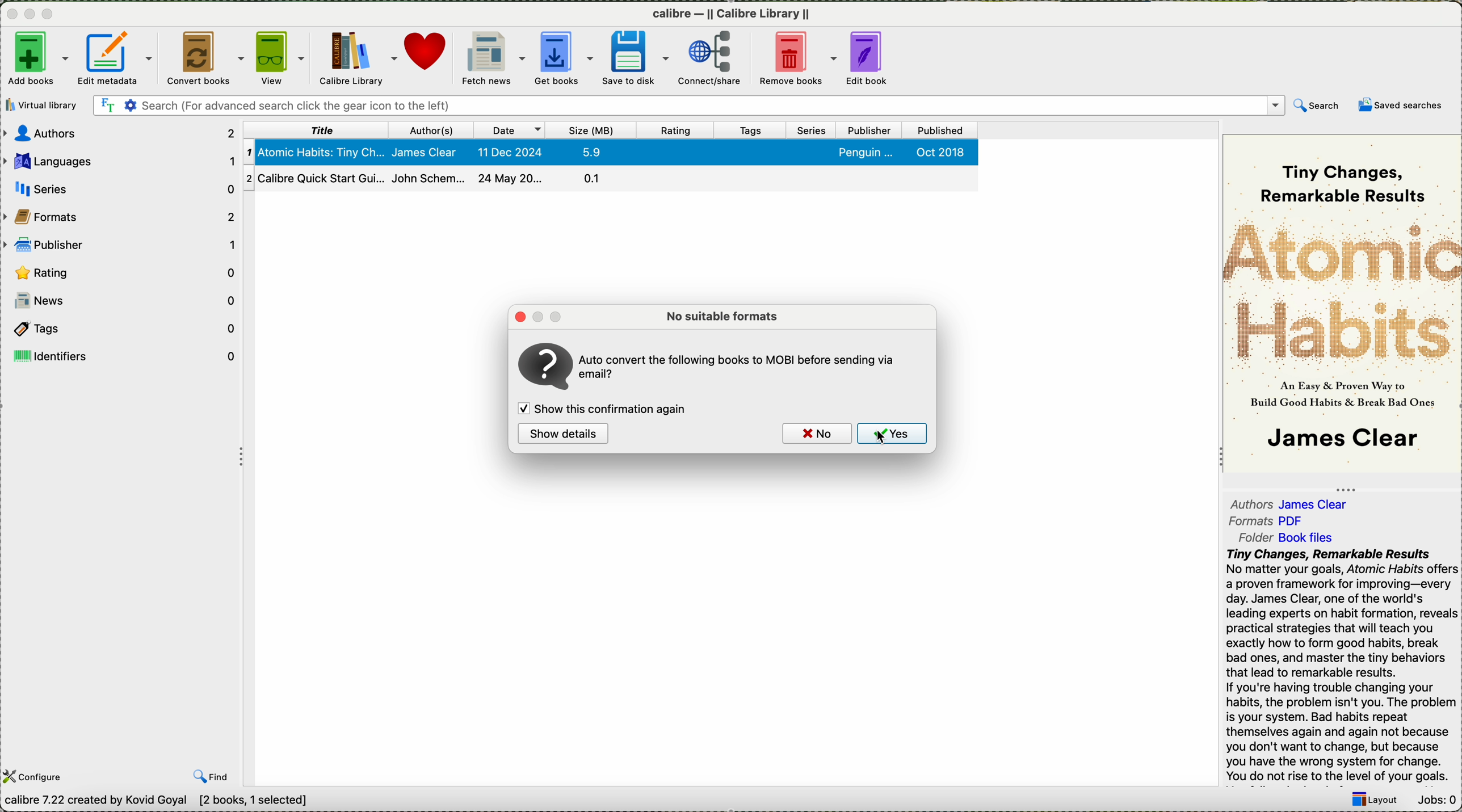 This screenshot has width=1462, height=812. I want to click on no button, so click(816, 434).